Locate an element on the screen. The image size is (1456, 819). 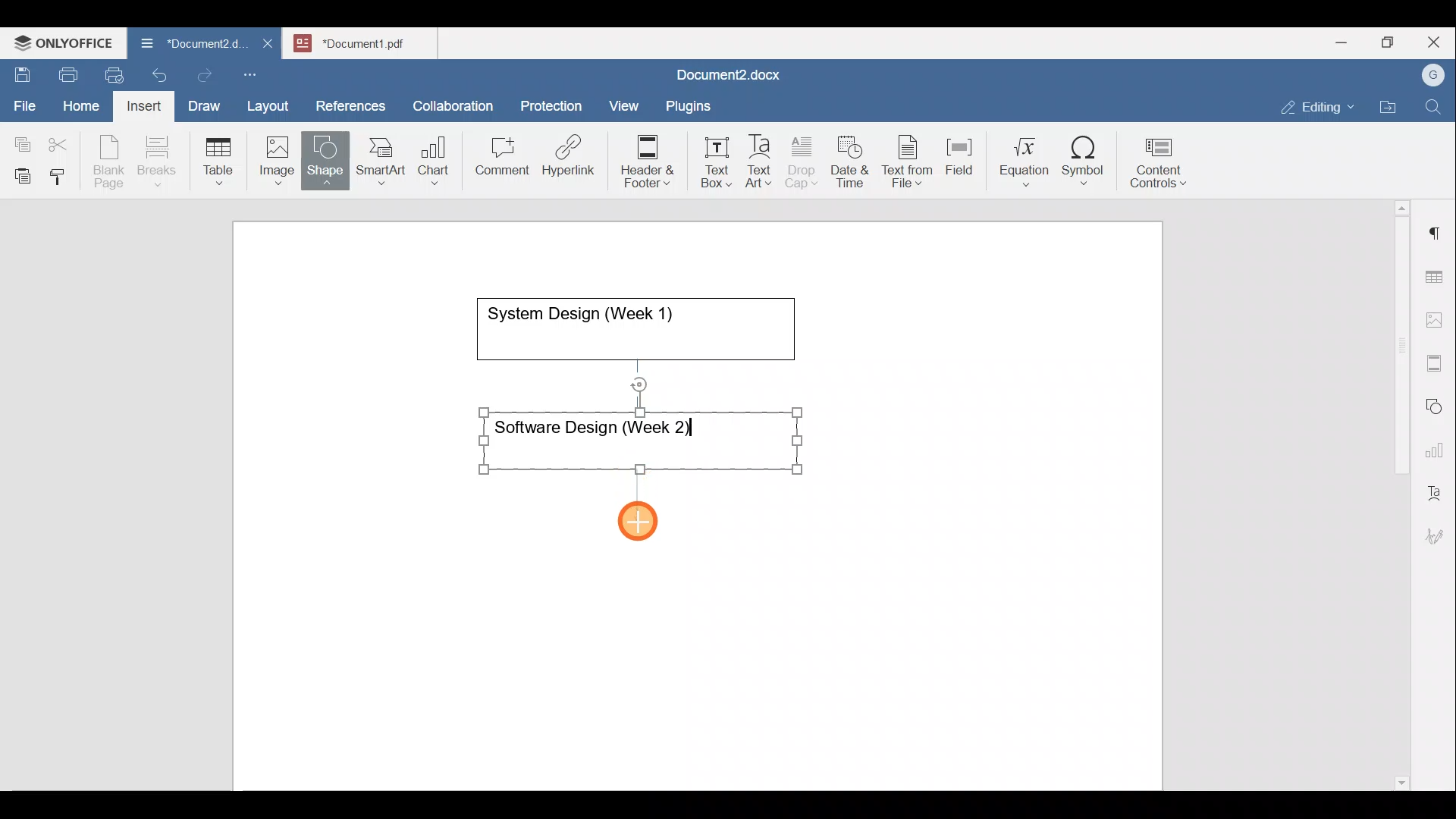
Open file location is located at coordinates (1392, 108).